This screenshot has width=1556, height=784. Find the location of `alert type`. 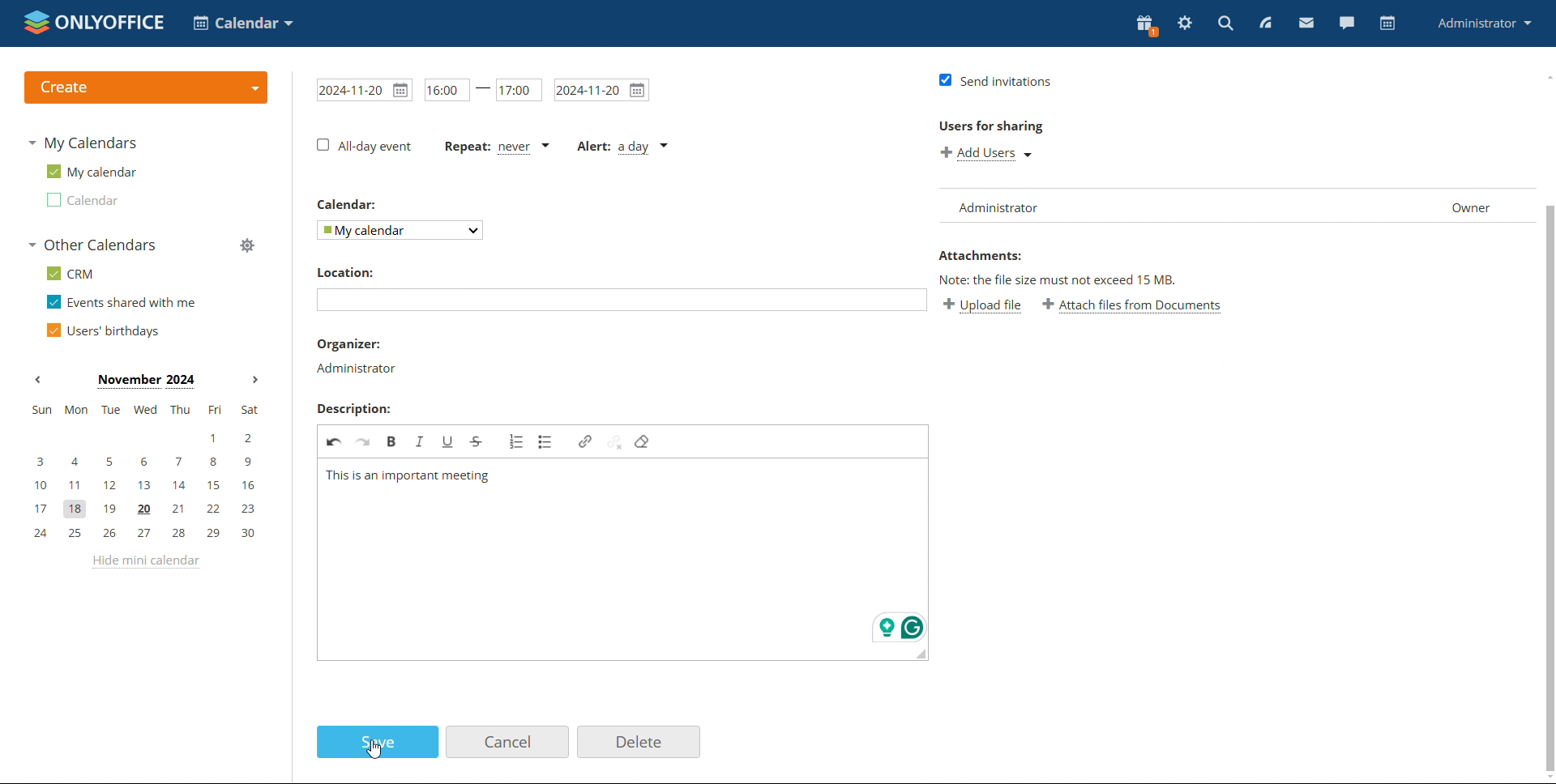

alert type is located at coordinates (620, 148).